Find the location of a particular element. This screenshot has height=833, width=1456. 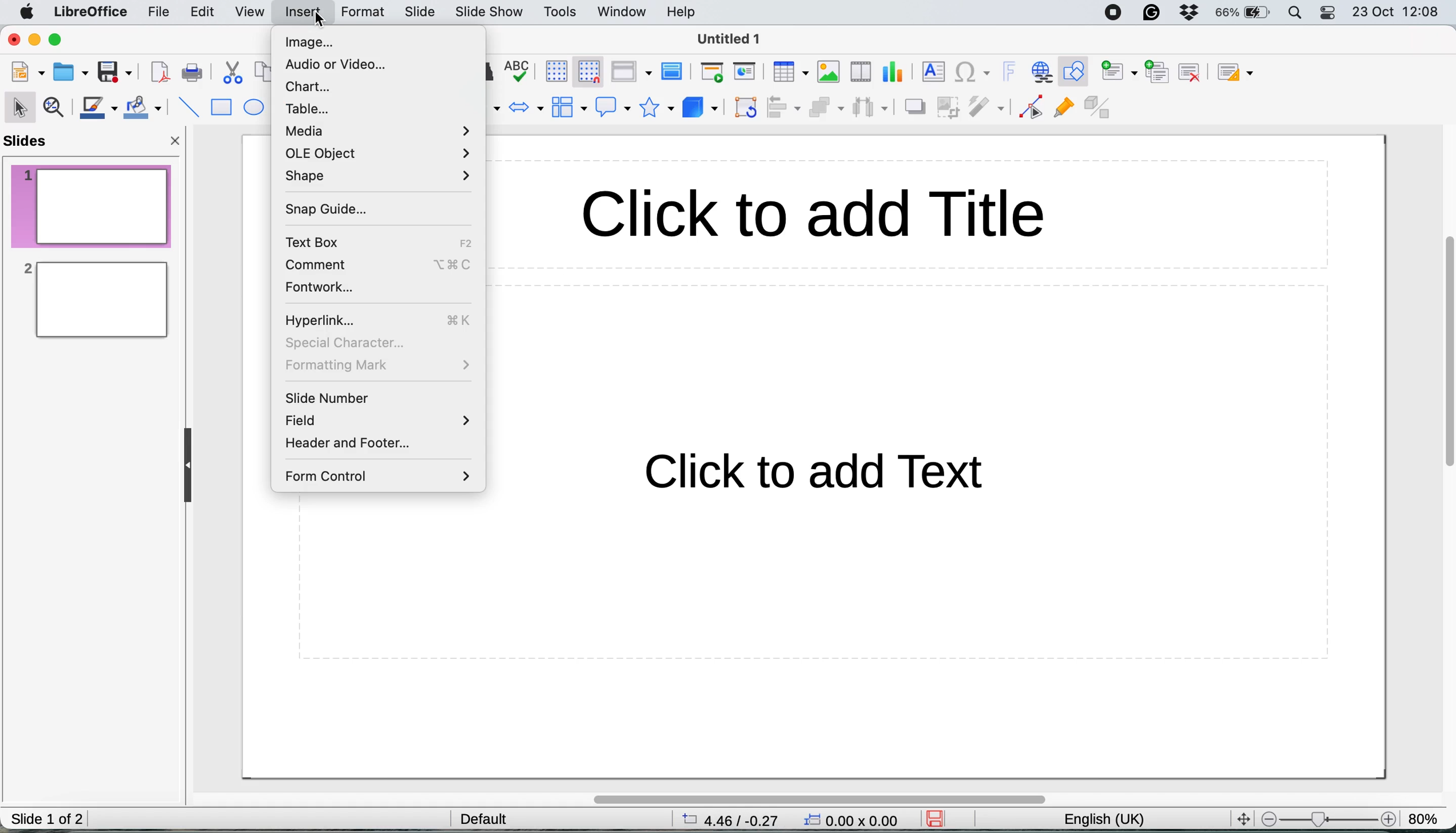

insert chart is located at coordinates (829, 71).